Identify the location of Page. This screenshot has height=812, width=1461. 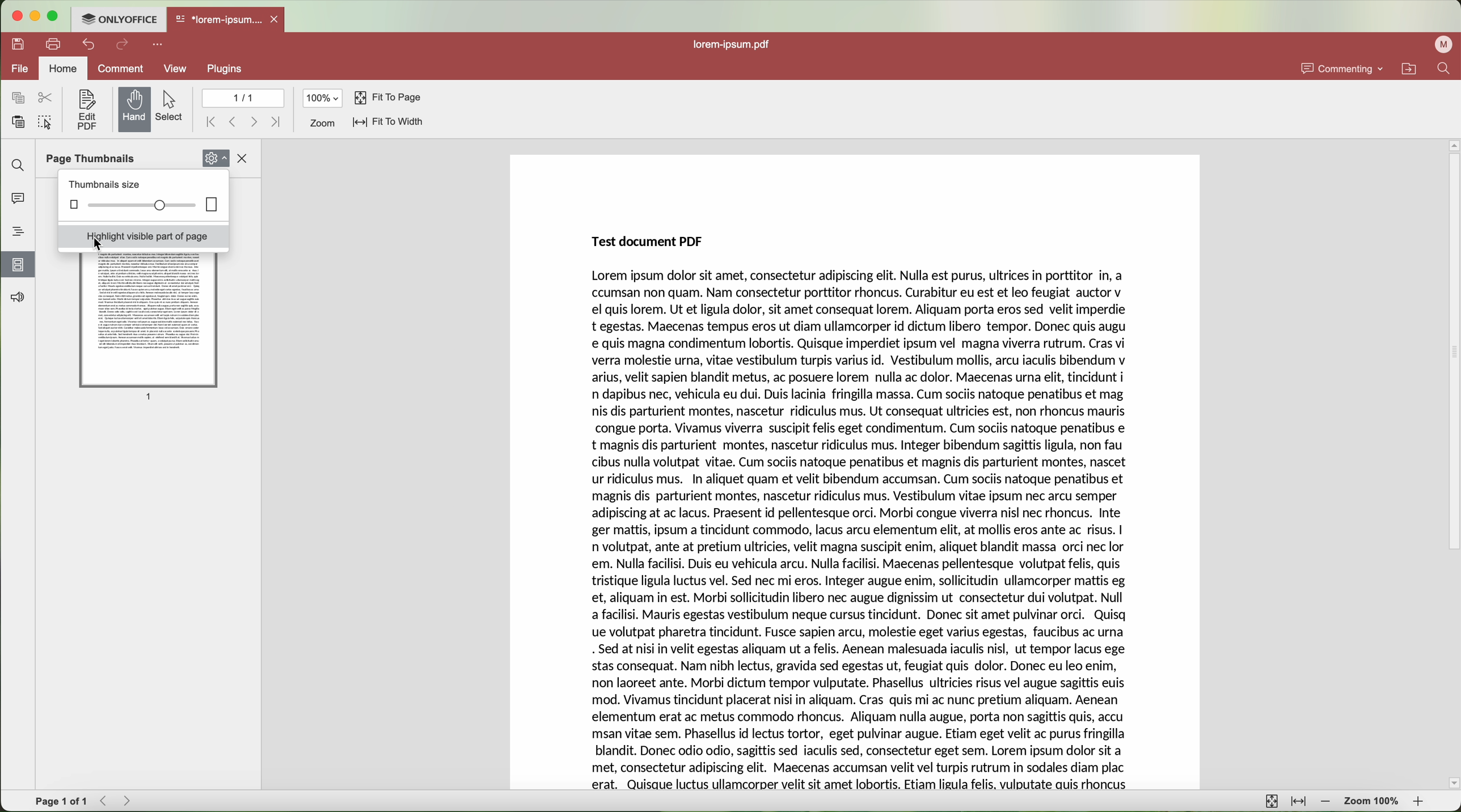
(148, 318).